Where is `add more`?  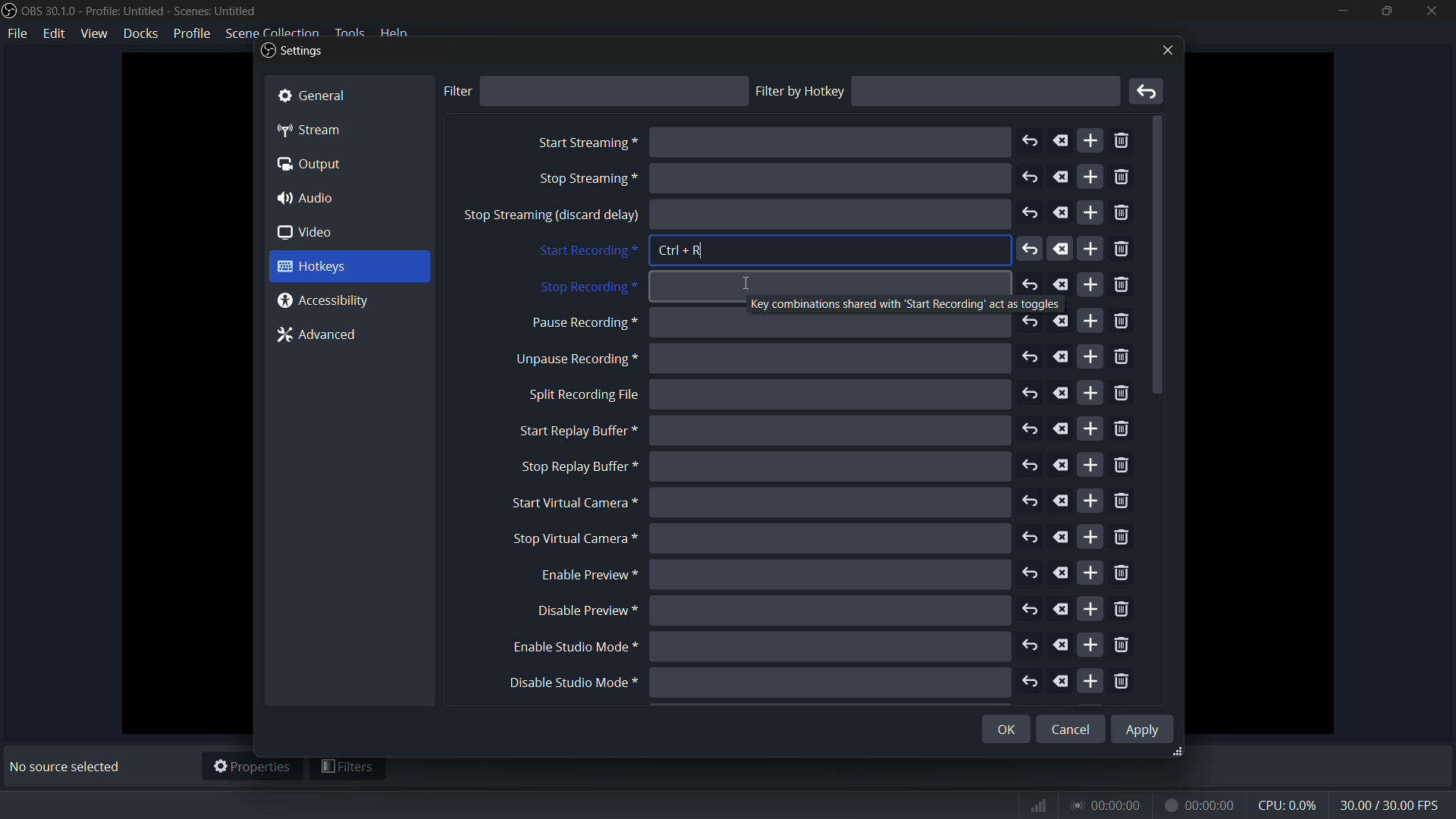 add more is located at coordinates (1090, 643).